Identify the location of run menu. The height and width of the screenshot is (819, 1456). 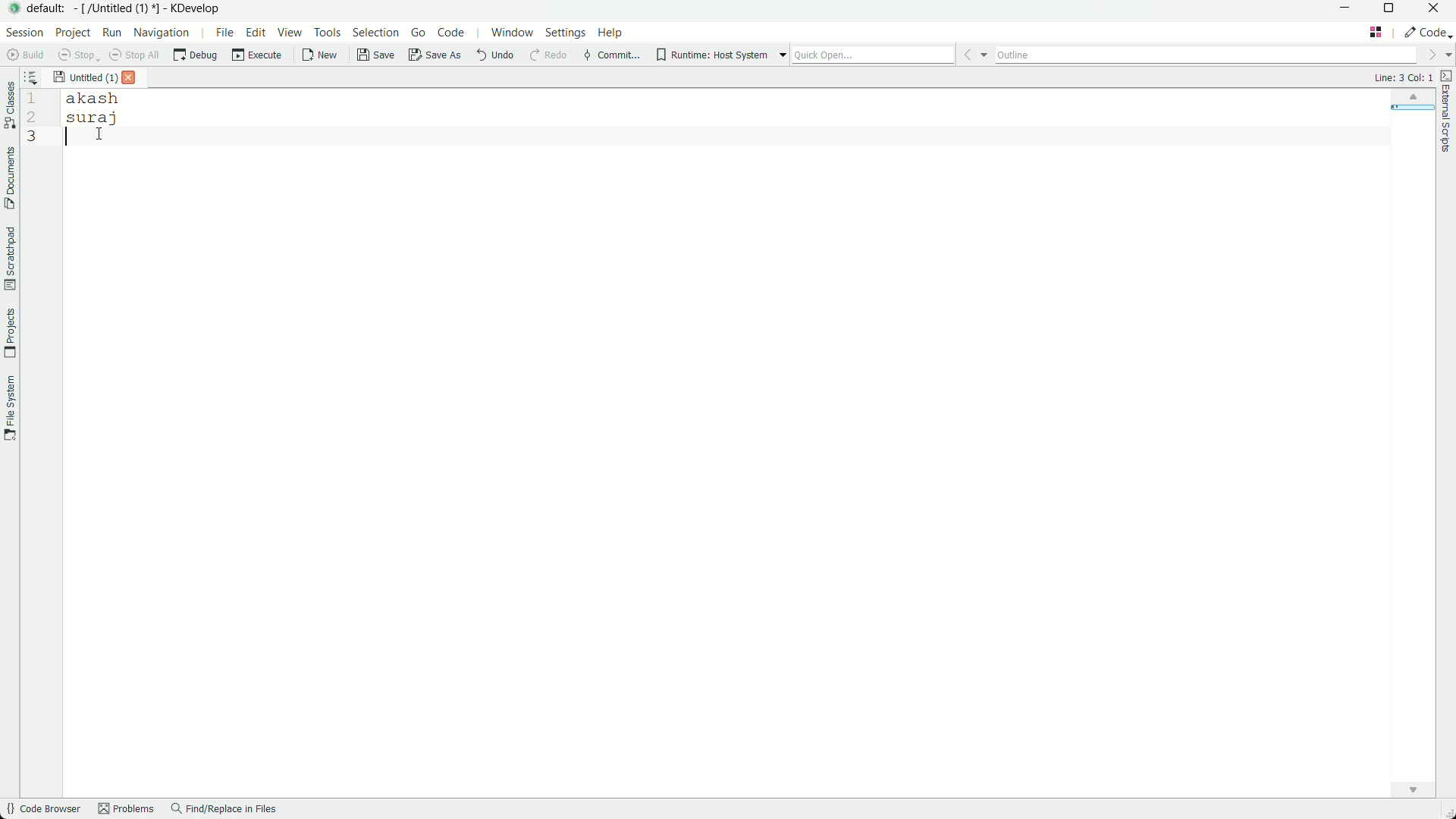
(111, 32).